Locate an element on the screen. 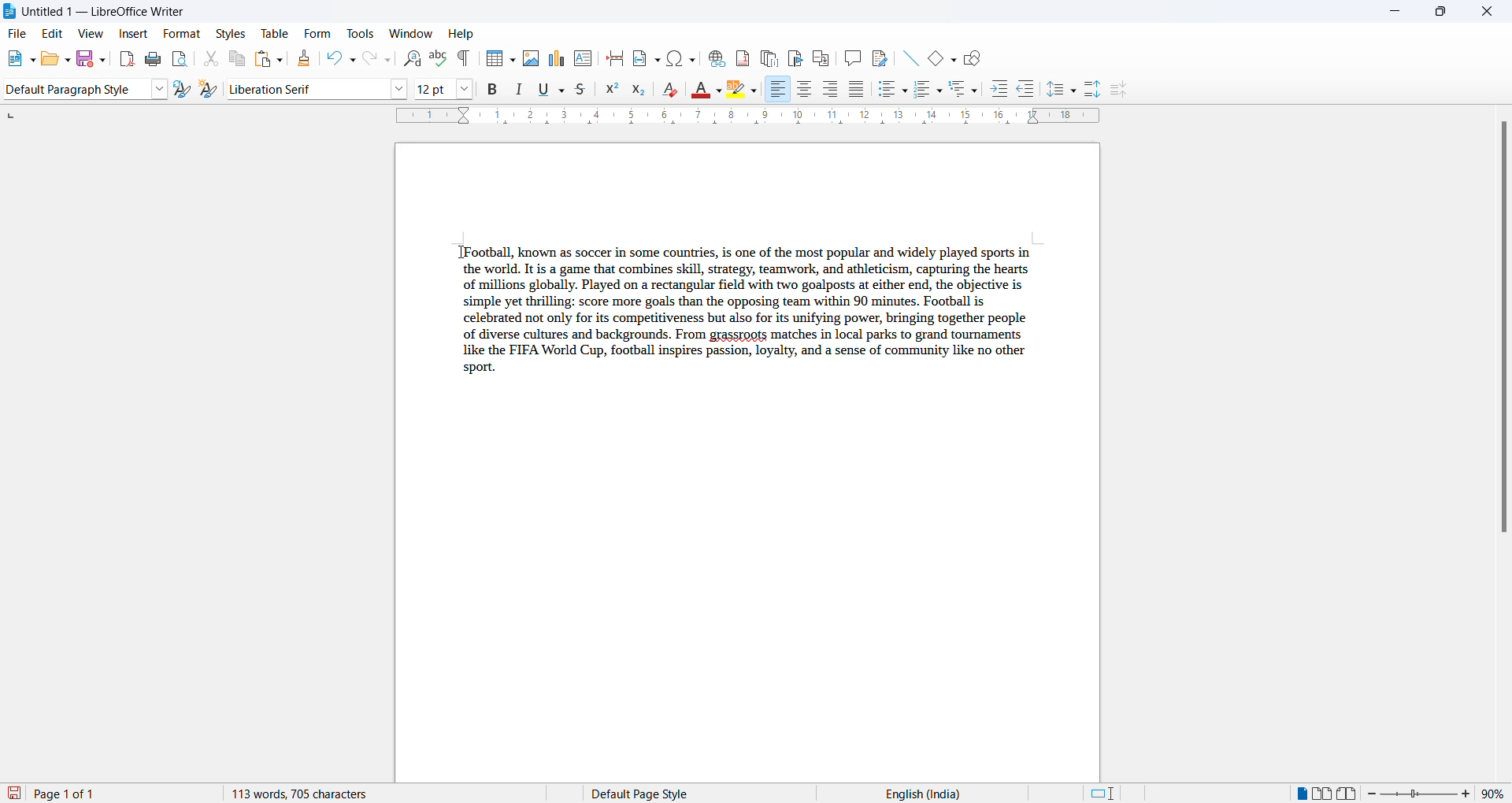 The image size is (1512, 803). maximize is located at coordinates (1440, 13).